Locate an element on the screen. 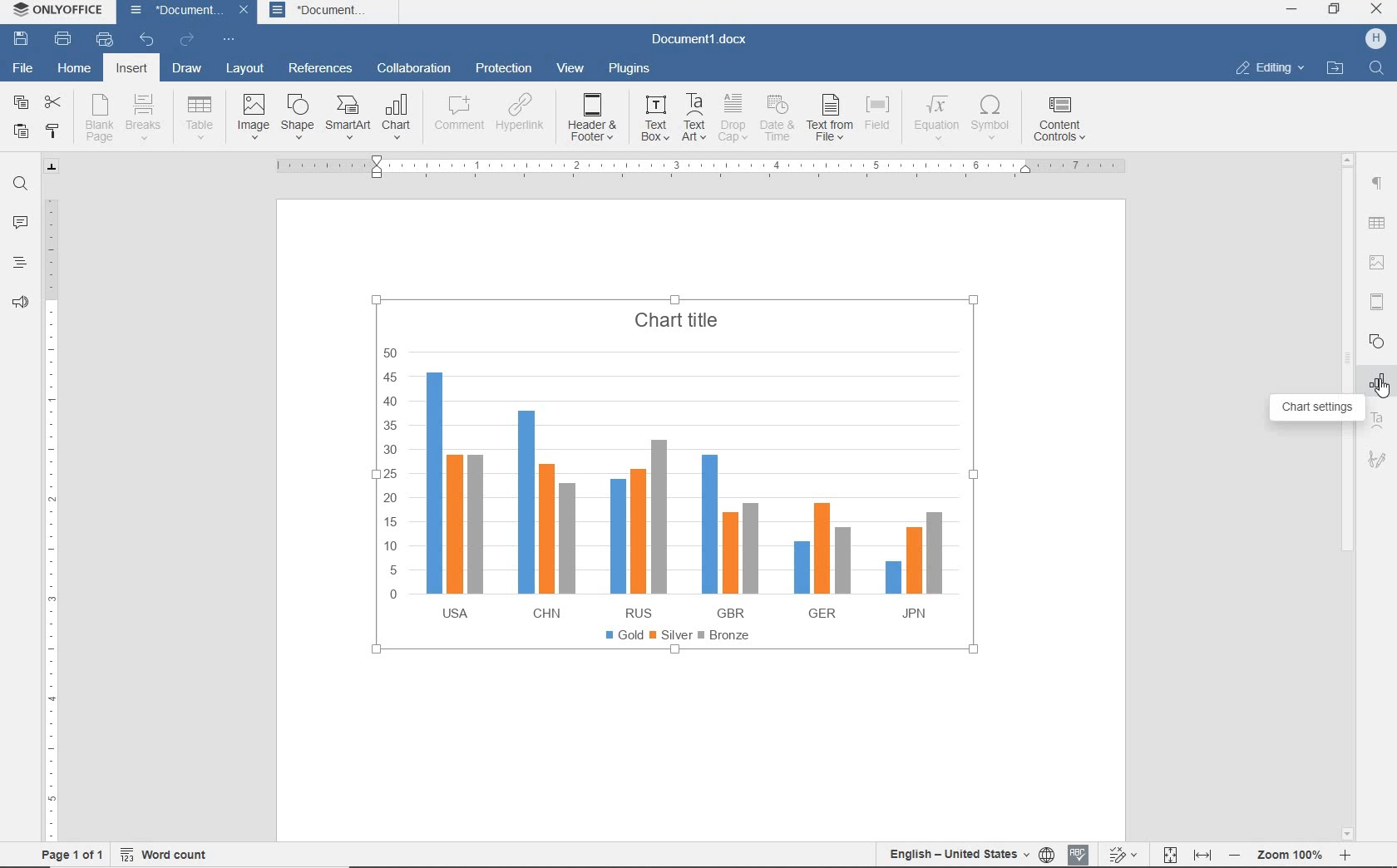 The height and width of the screenshot is (868, 1397). file is located at coordinates (22, 67).